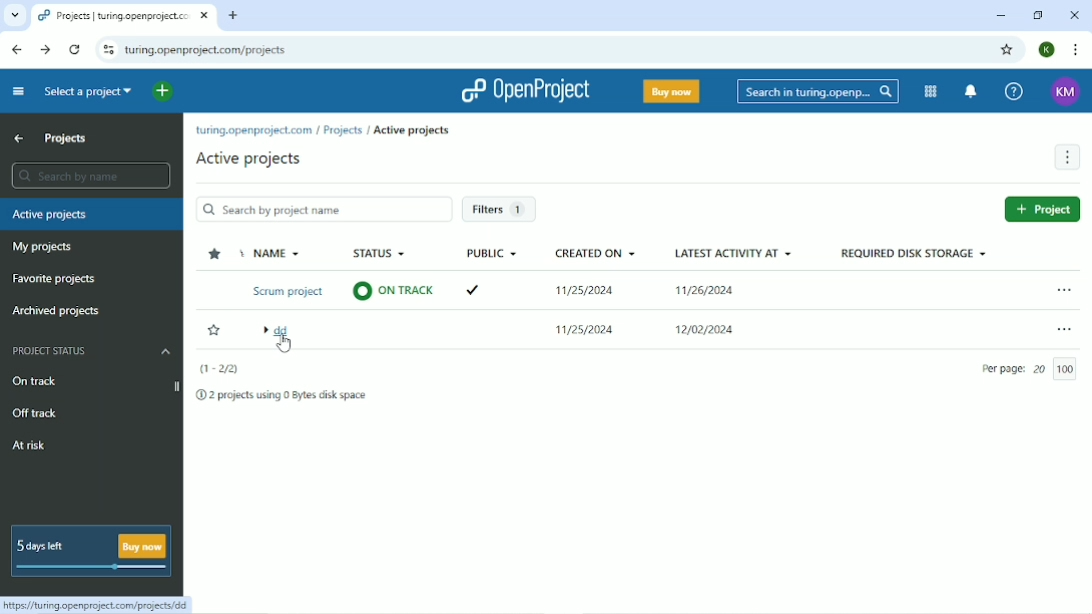  Describe the element at coordinates (714, 289) in the screenshot. I see `11/26/2024` at that location.